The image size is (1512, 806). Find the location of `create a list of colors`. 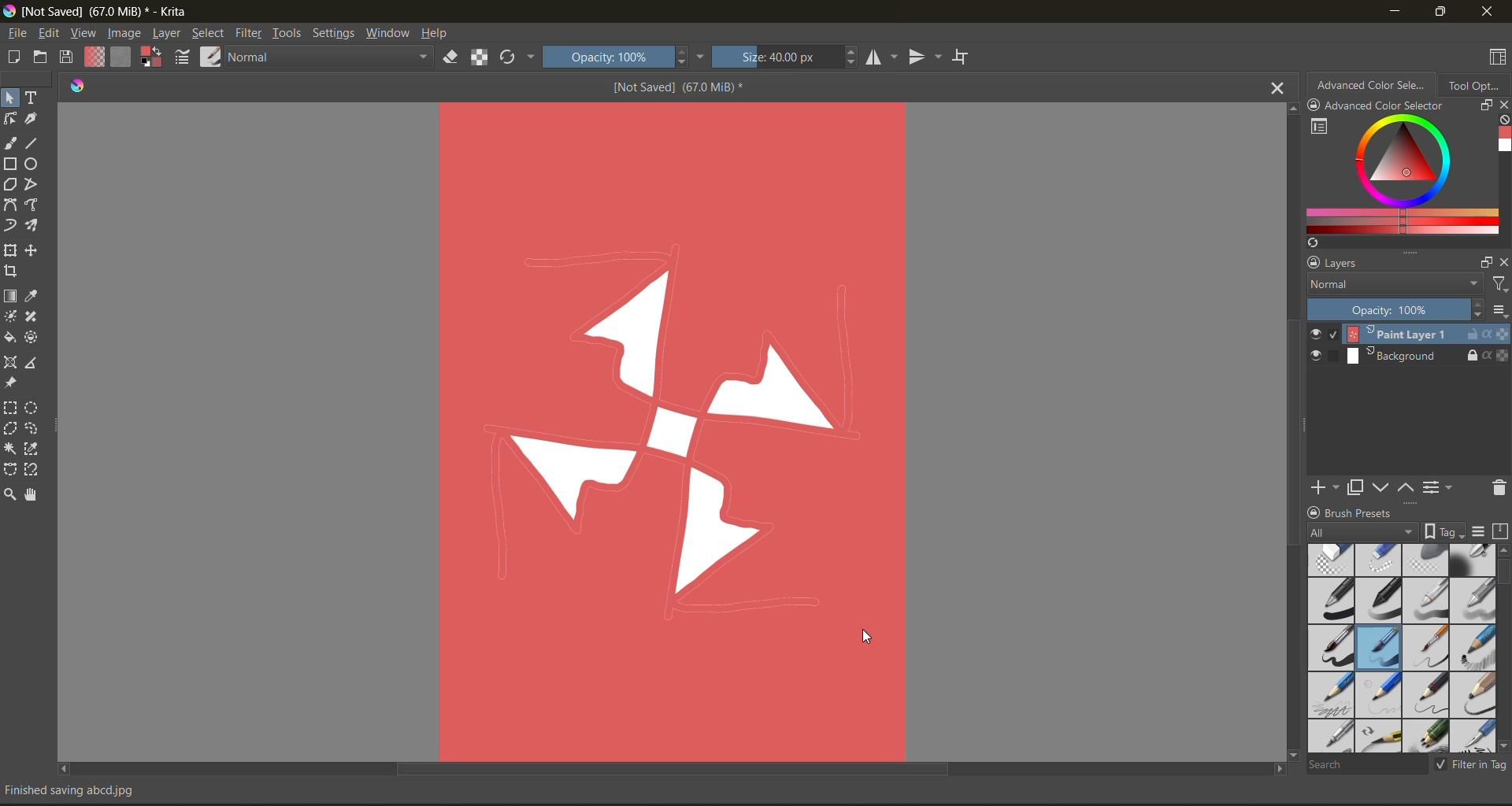

create a list of colors is located at coordinates (1313, 244).